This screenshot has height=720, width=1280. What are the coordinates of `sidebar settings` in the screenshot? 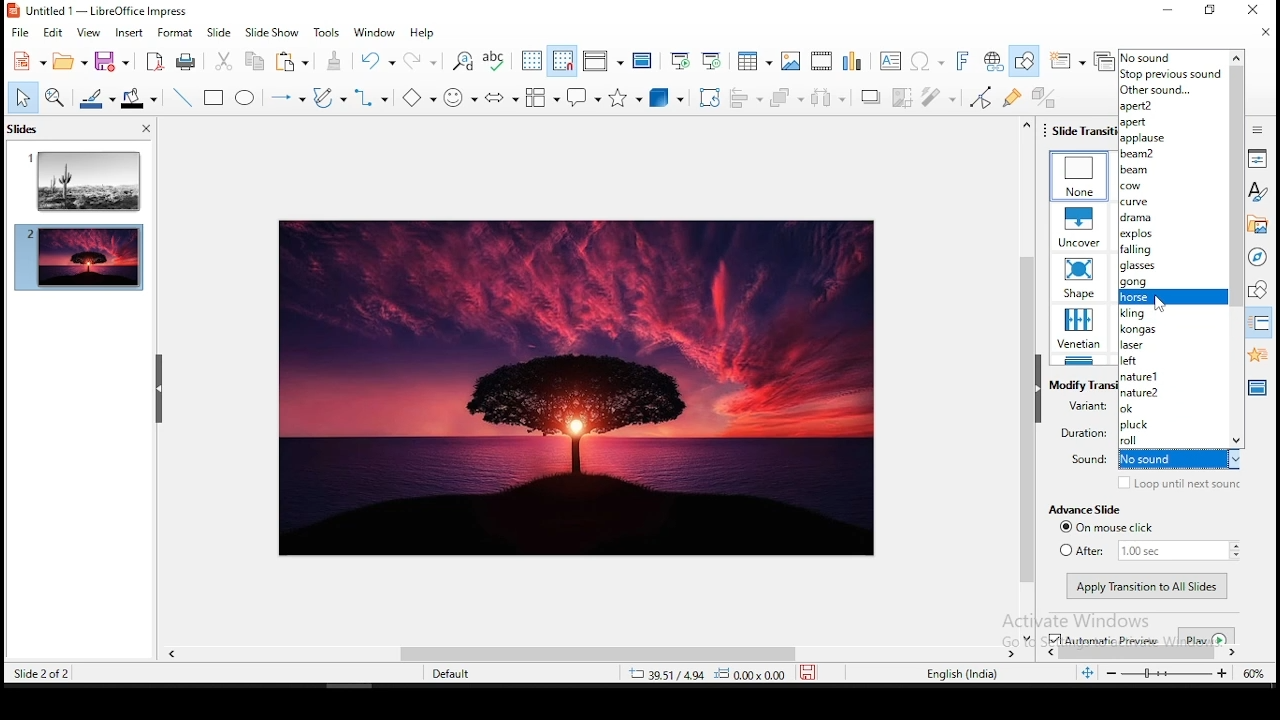 It's located at (1255, 131).